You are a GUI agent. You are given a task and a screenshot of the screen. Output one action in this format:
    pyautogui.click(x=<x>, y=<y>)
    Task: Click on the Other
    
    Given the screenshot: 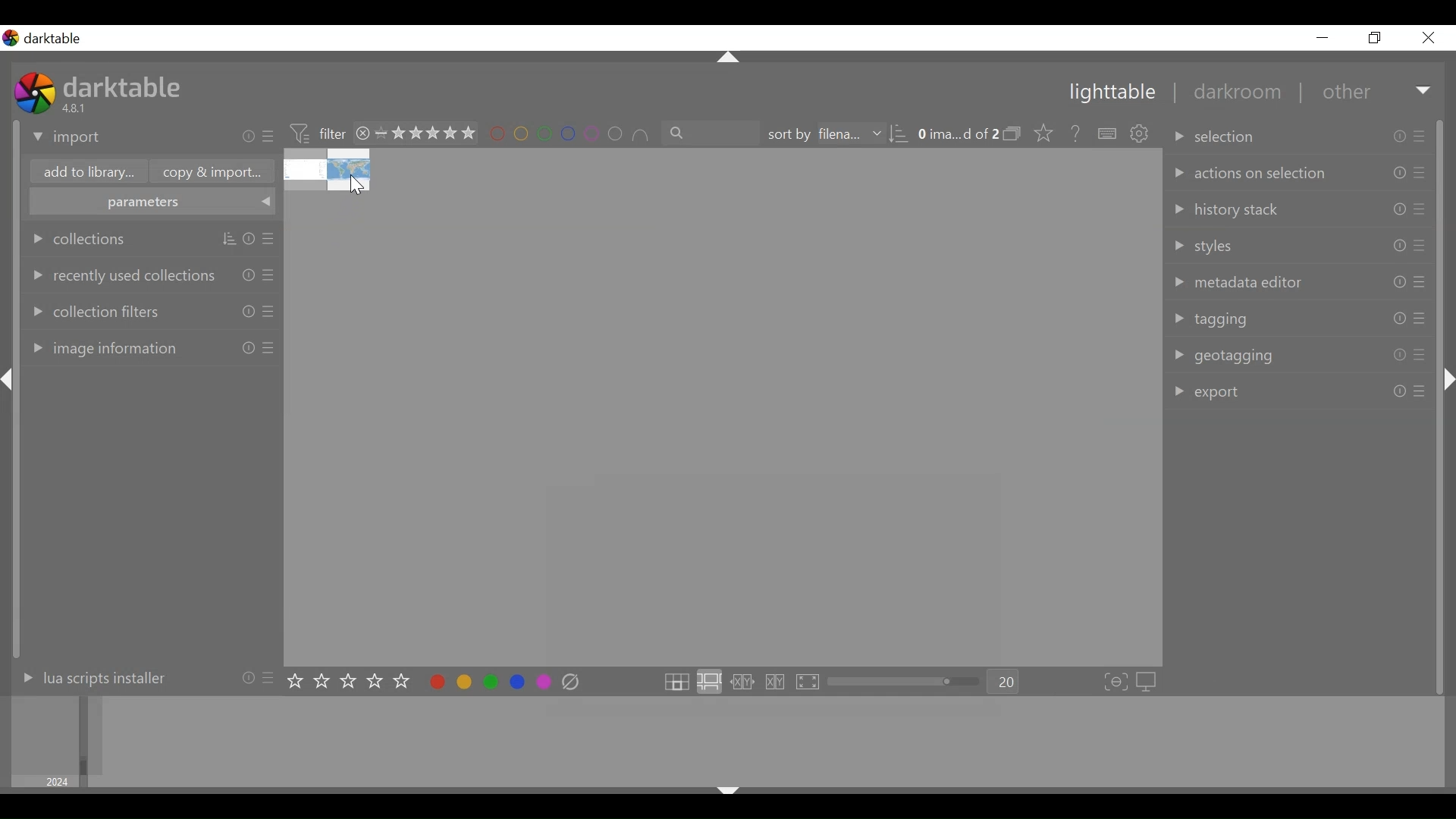 What is the action you would take?
    pyautogui.click(x=1377, y=91)
    